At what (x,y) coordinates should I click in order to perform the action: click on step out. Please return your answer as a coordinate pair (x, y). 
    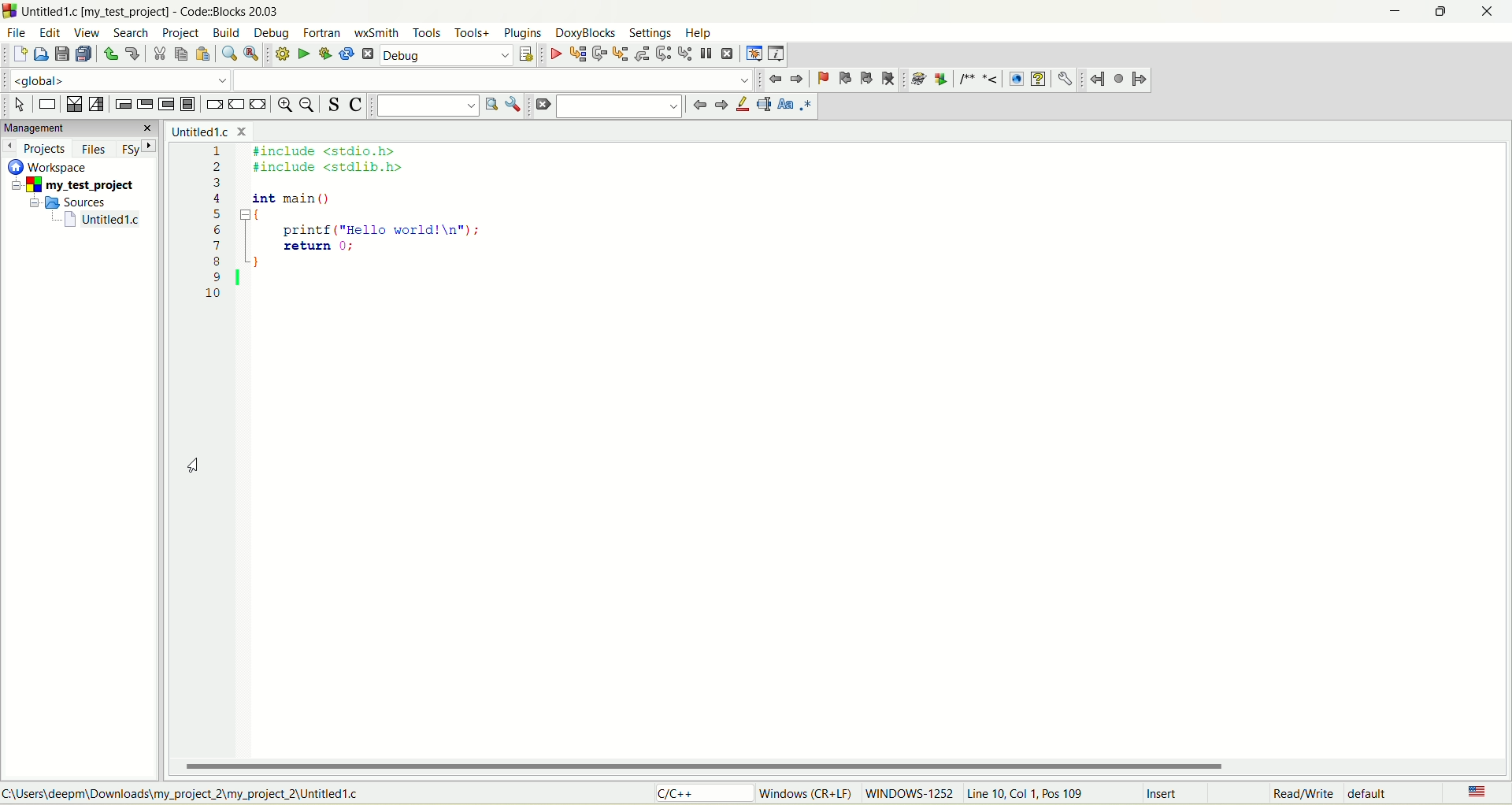
    Looking at the image, I should click on (639, 54).